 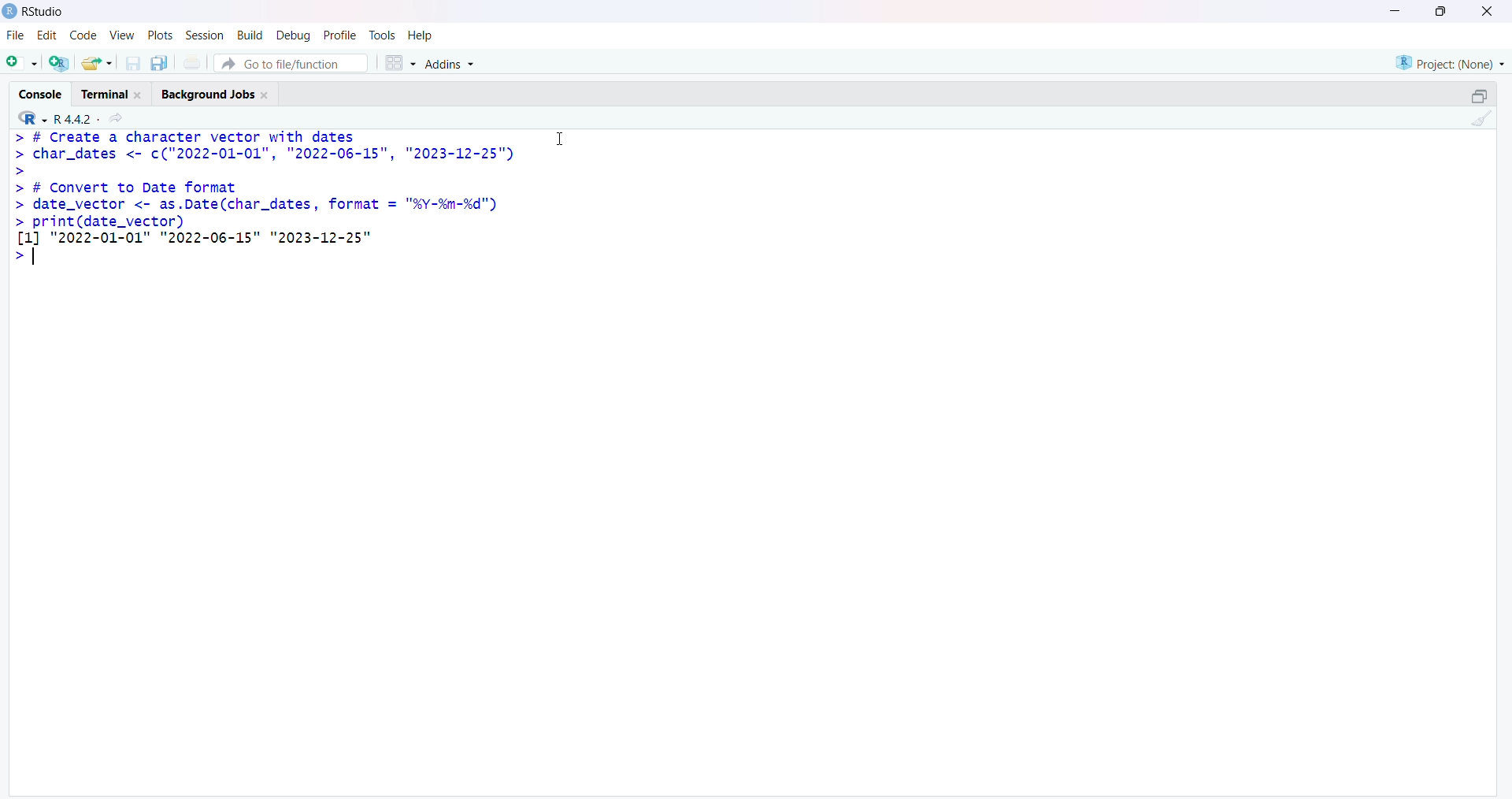 I want to click on Workspace panes, so click(x=400, y=61).